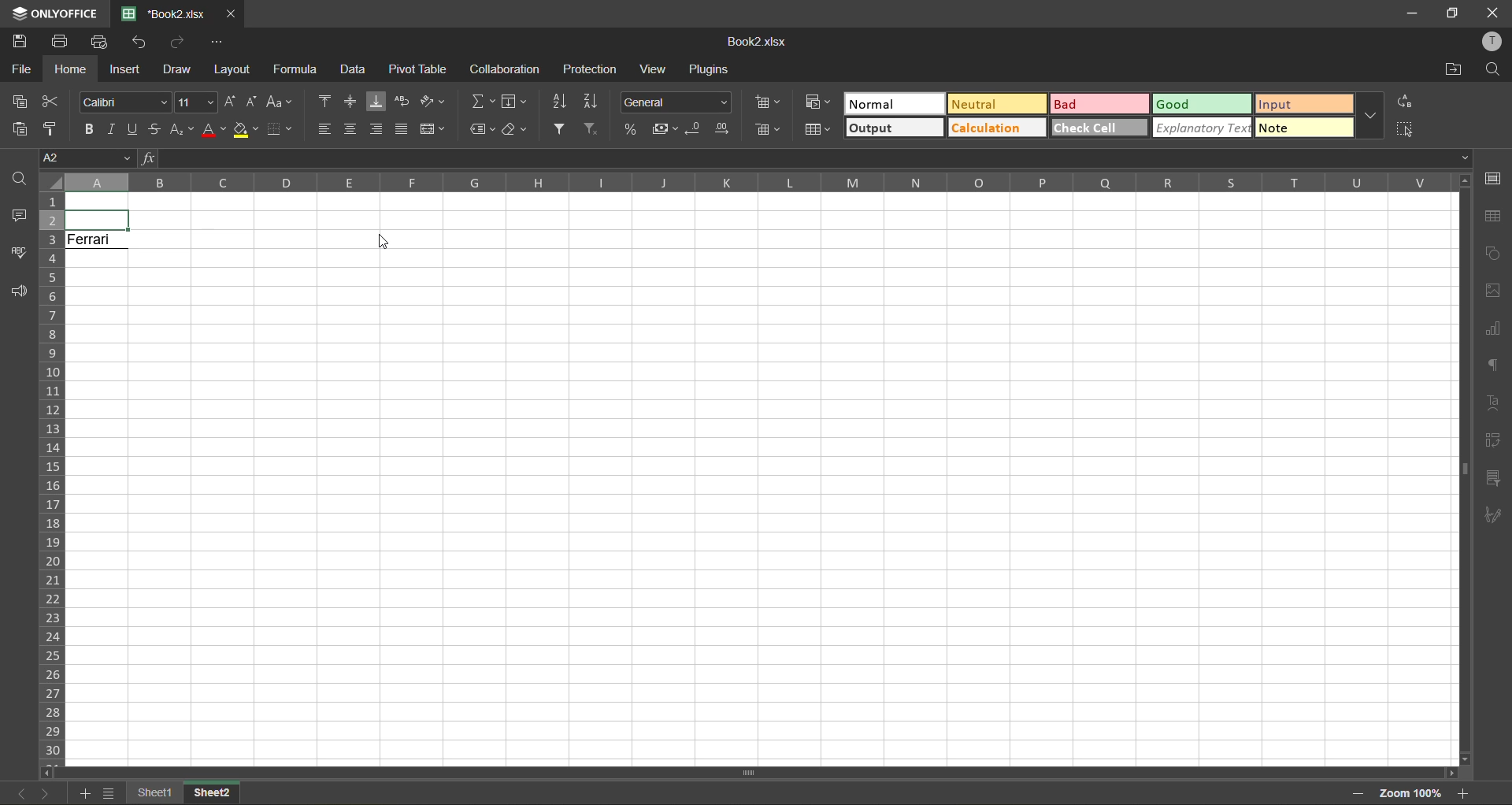  Describe the element at coordinates (431, 129) in the screenshot. I see `merge and center` at that location.